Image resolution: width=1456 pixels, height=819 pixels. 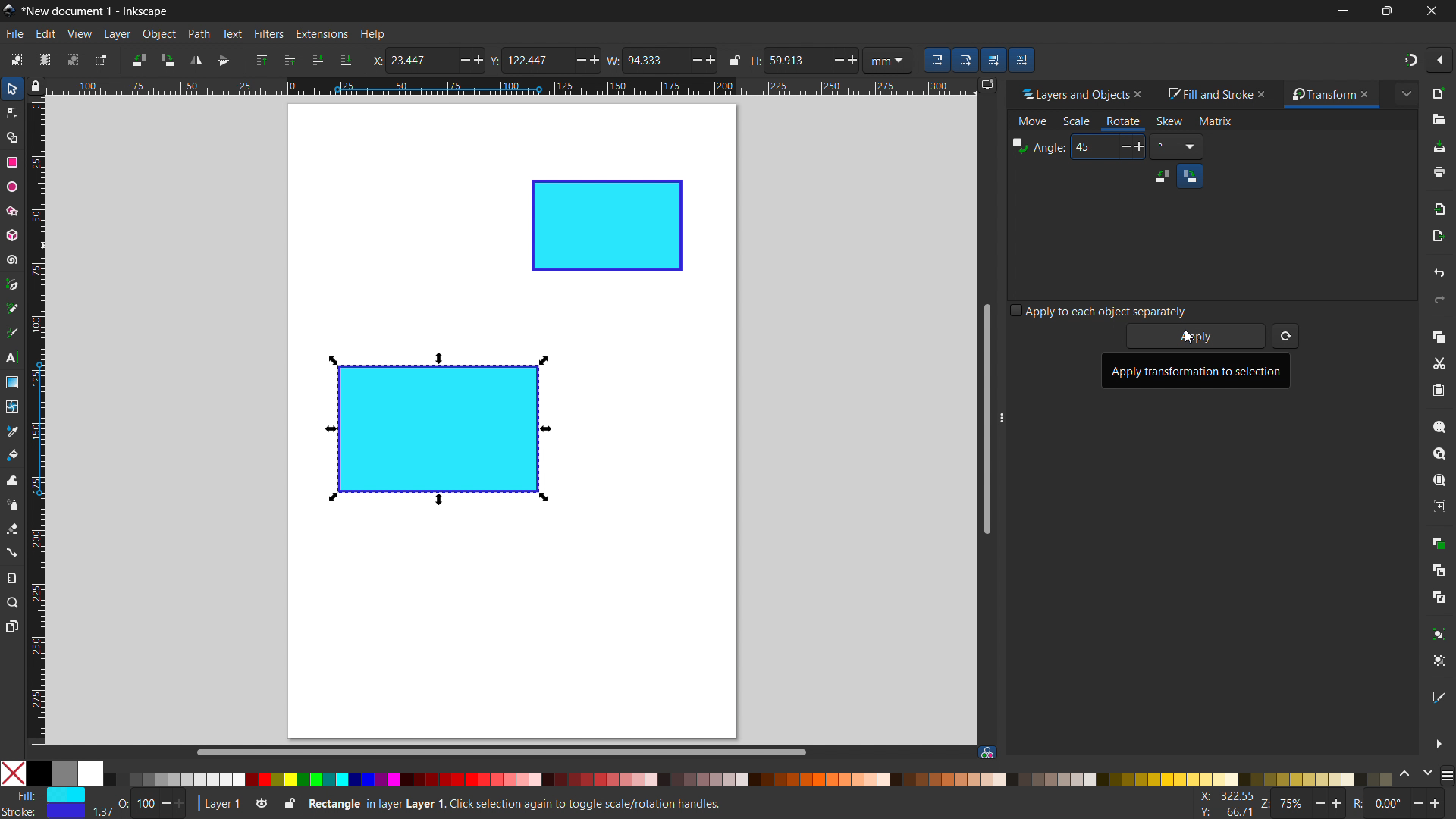 I want to click on paint bucket tool, so click(x=14, y=454).